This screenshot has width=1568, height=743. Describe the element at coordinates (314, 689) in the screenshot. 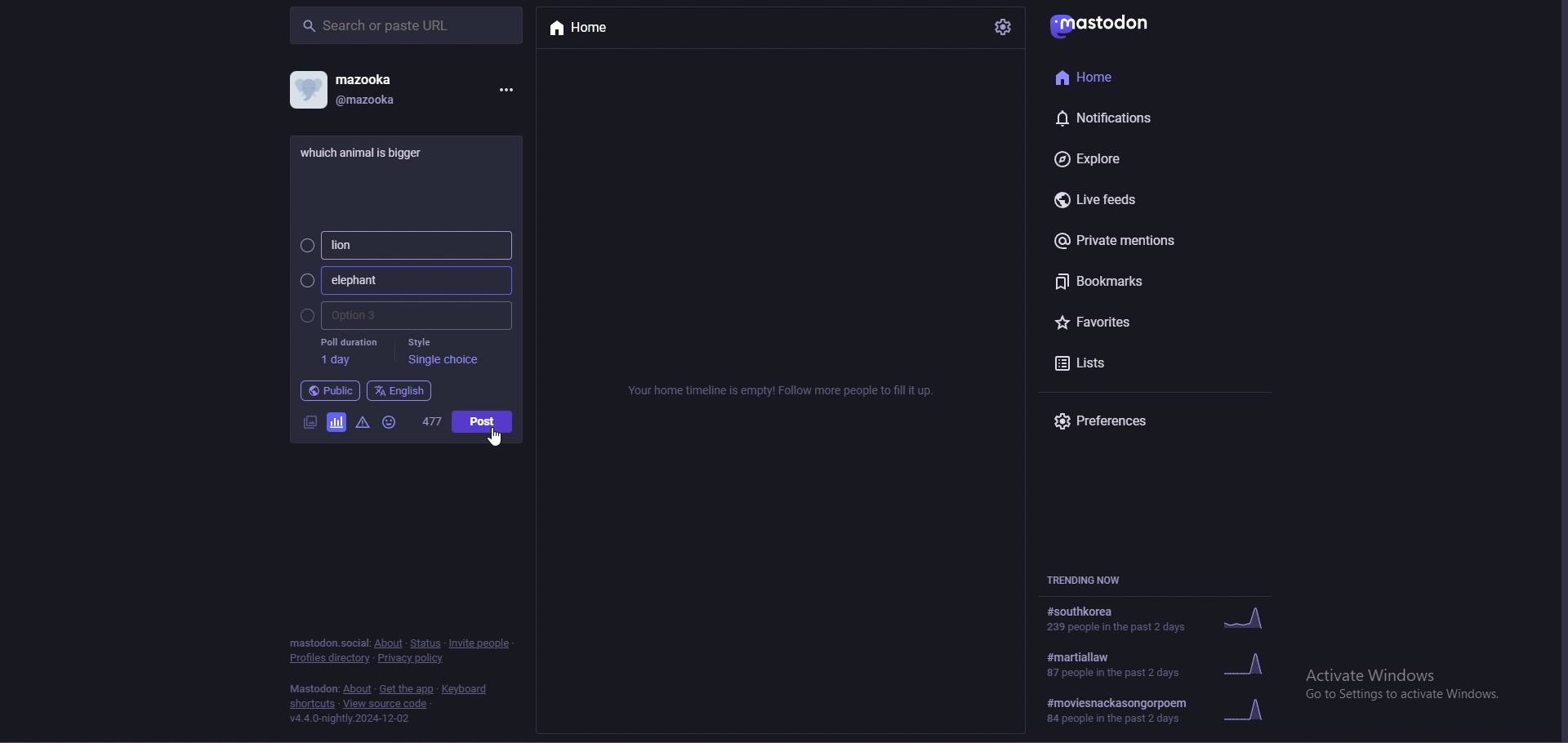

I see `mastodon` at that location.